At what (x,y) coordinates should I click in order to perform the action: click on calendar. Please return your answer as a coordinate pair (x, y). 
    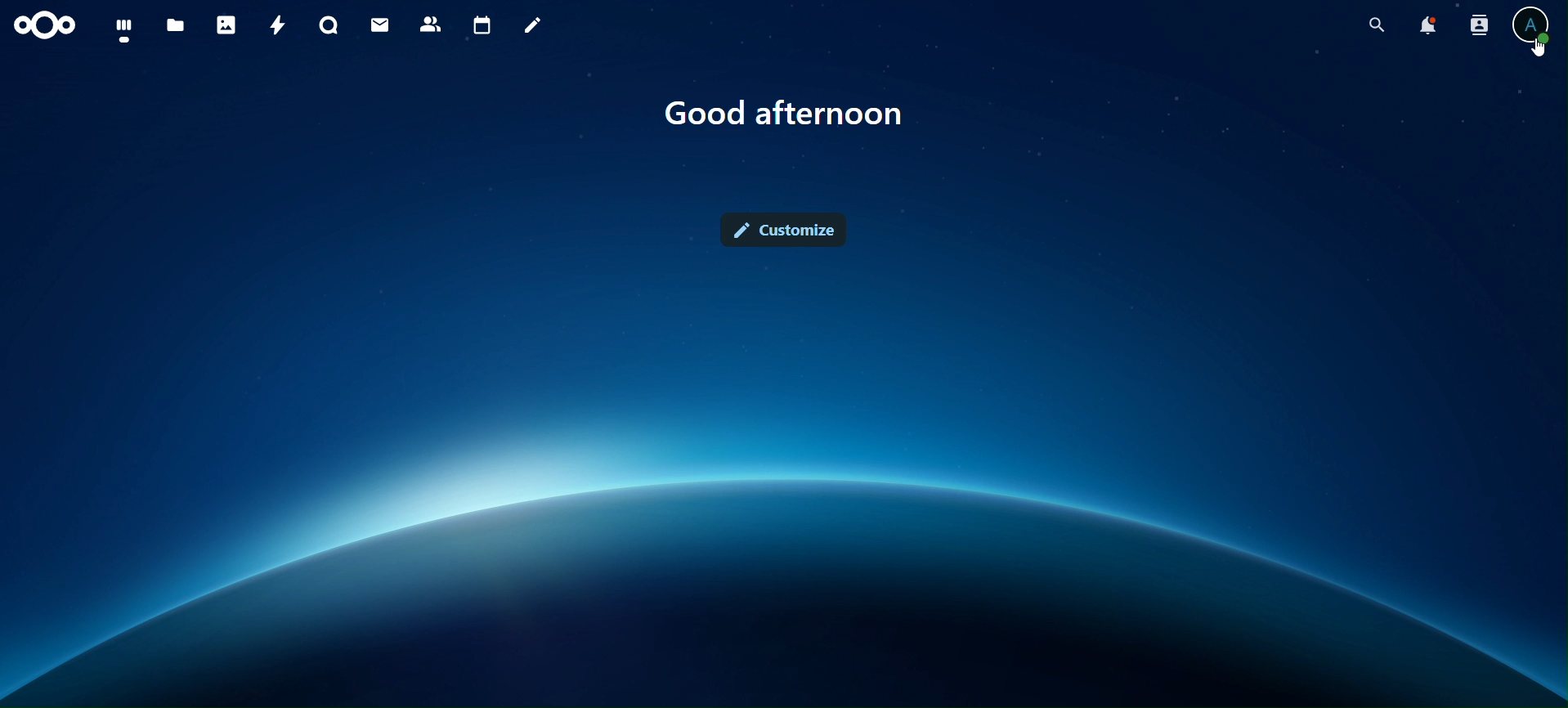
    Looking at the image, I should click on (483, 23).